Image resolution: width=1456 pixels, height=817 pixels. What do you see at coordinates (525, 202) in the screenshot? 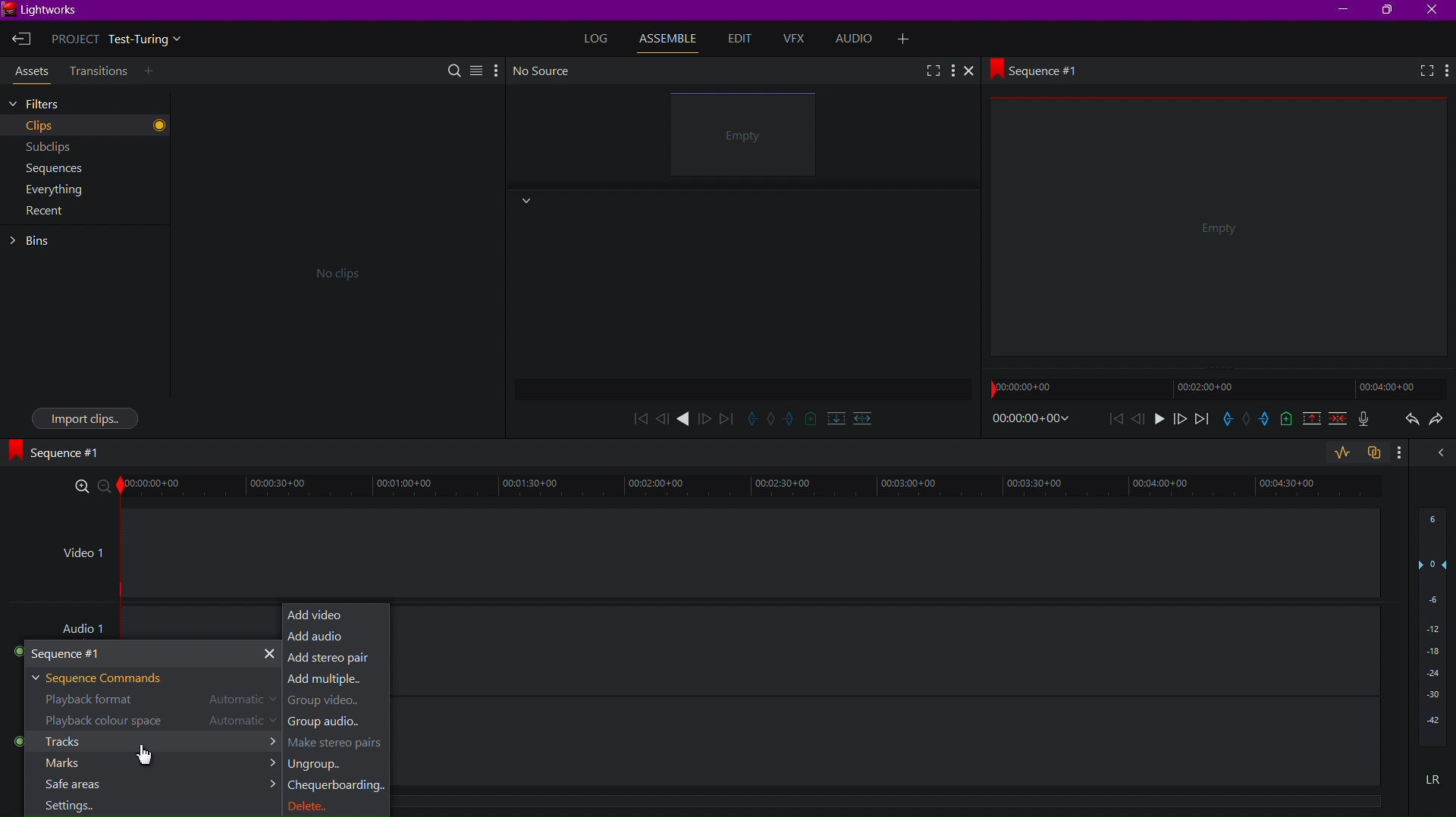
I see `Collapse` at bounding box center [525, 202].